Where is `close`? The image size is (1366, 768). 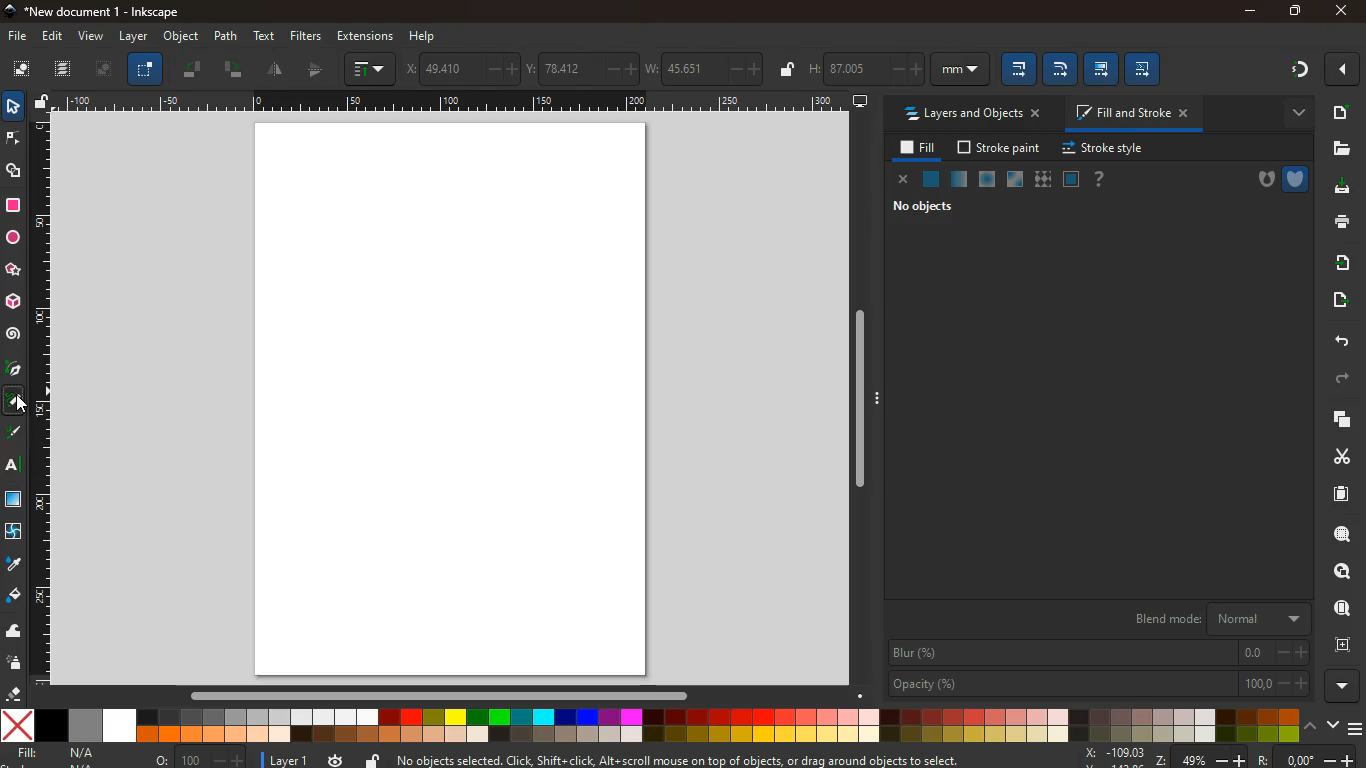
close is located at coordinates (1340, 12).